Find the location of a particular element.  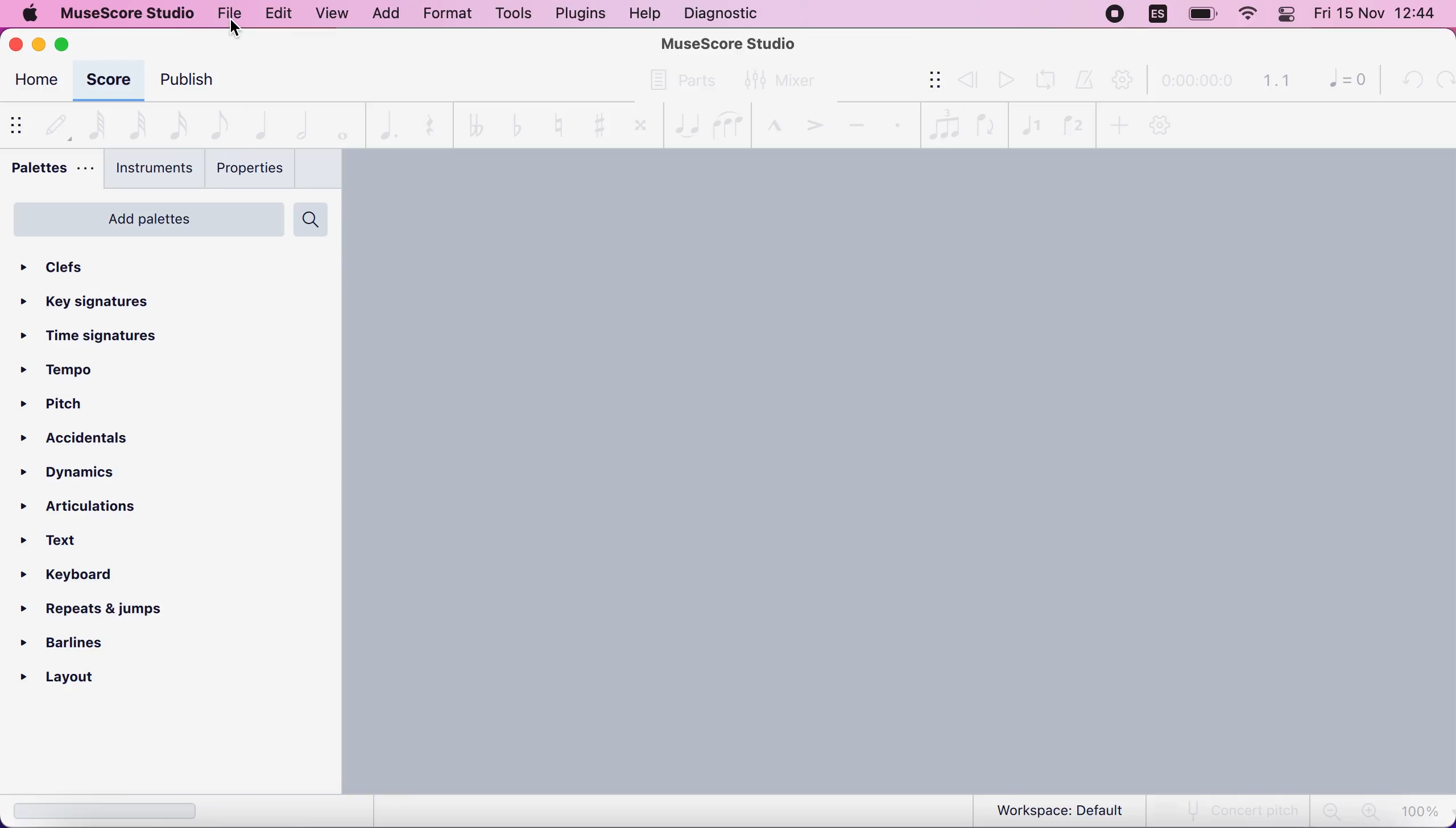

help is located at coordinates (644, 14).